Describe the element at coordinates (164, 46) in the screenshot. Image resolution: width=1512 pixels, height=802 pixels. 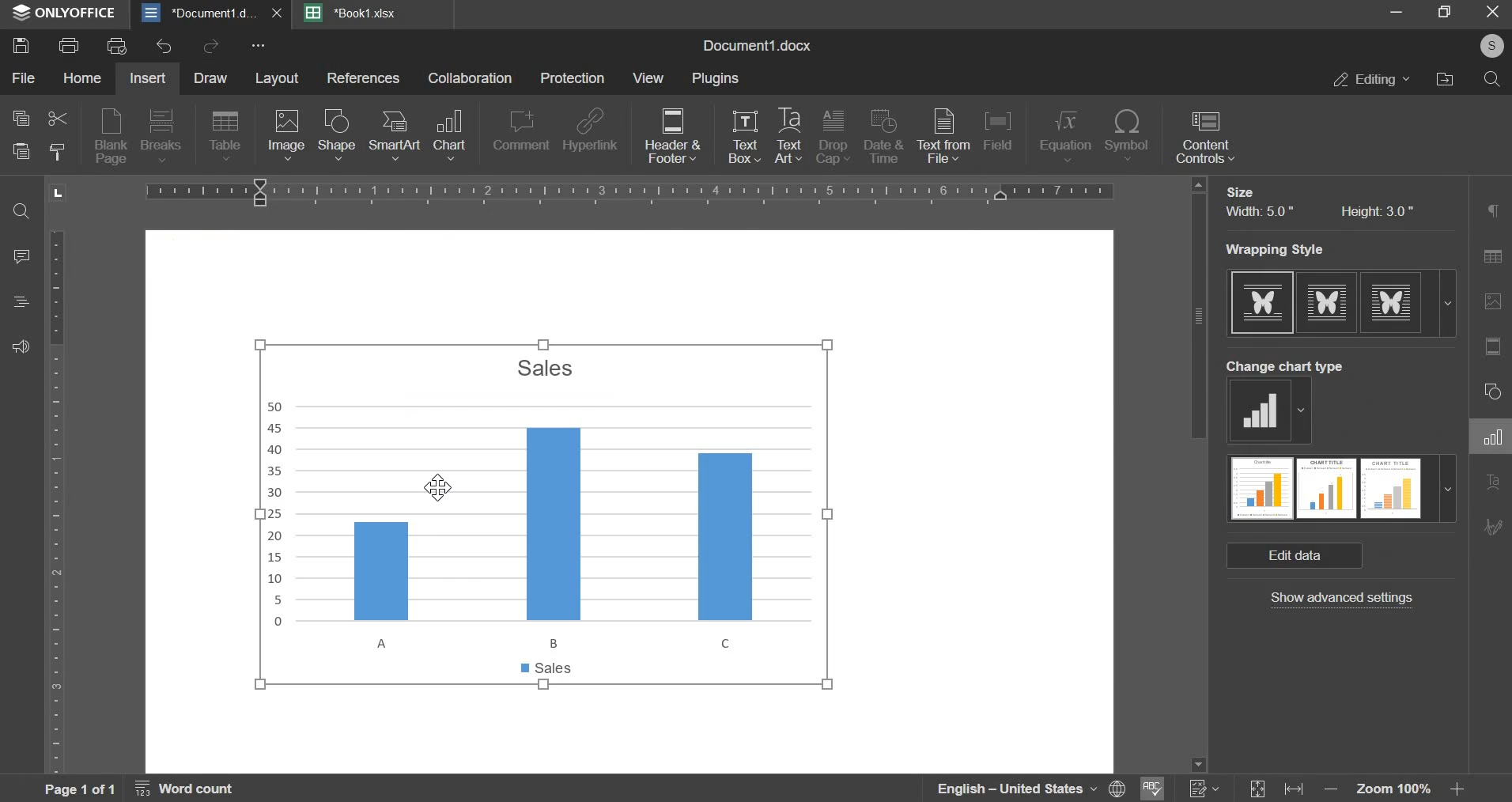
I see `undo` at that location.